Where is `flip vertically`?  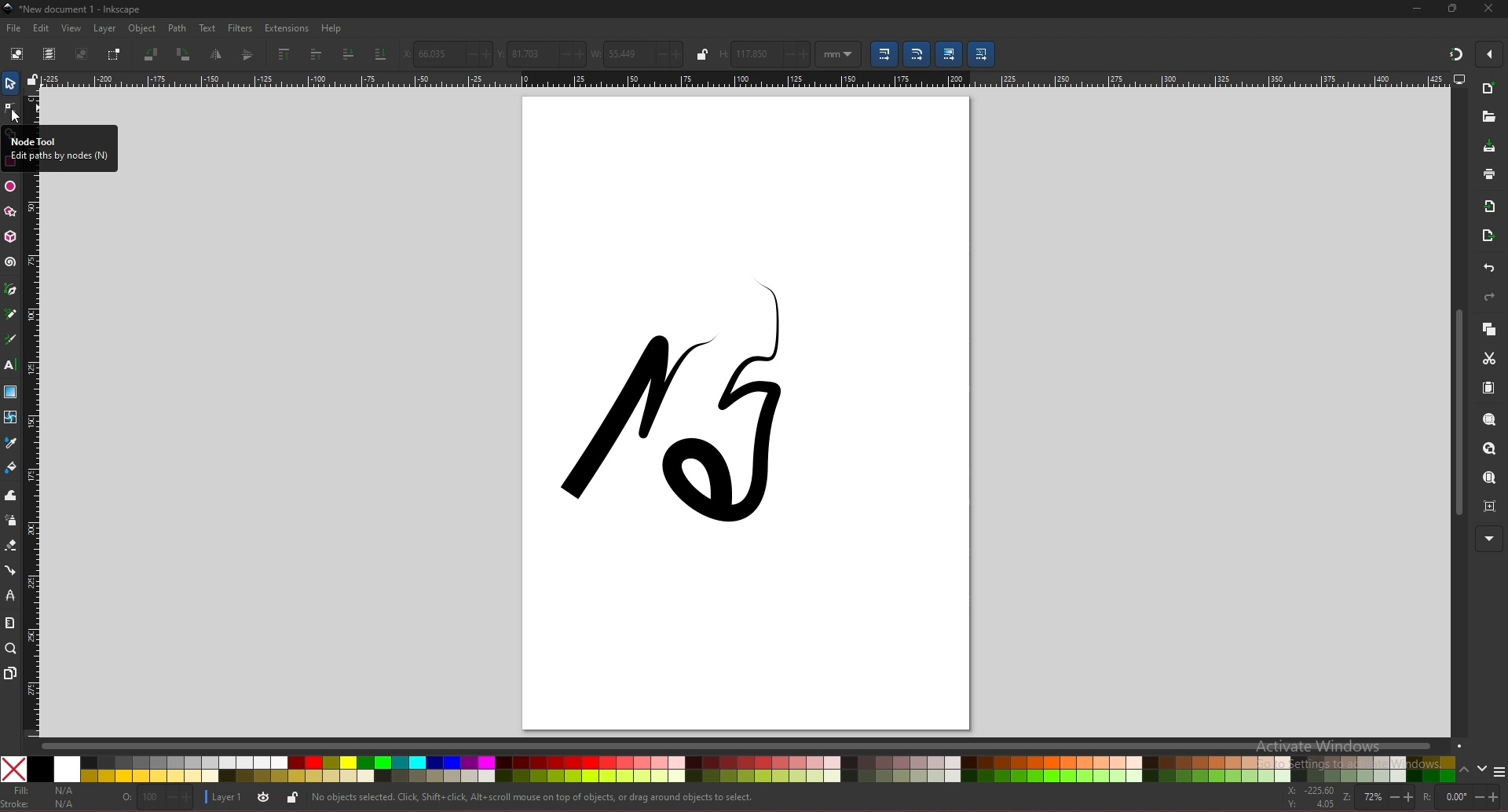 flip vertically is located at coordinates (218, 55).